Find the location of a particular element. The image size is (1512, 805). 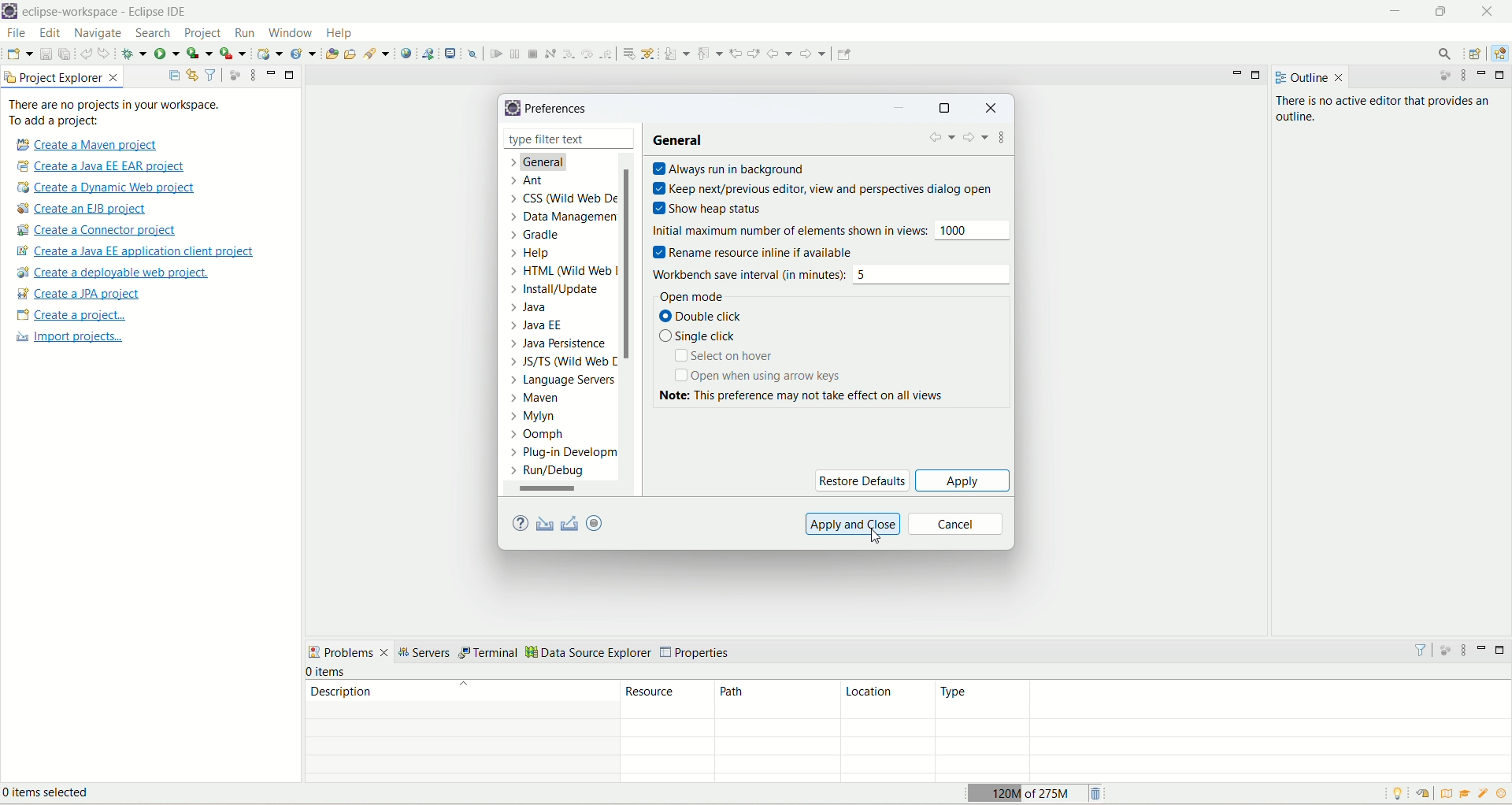

mylyn is located at coordinates (533, 417).